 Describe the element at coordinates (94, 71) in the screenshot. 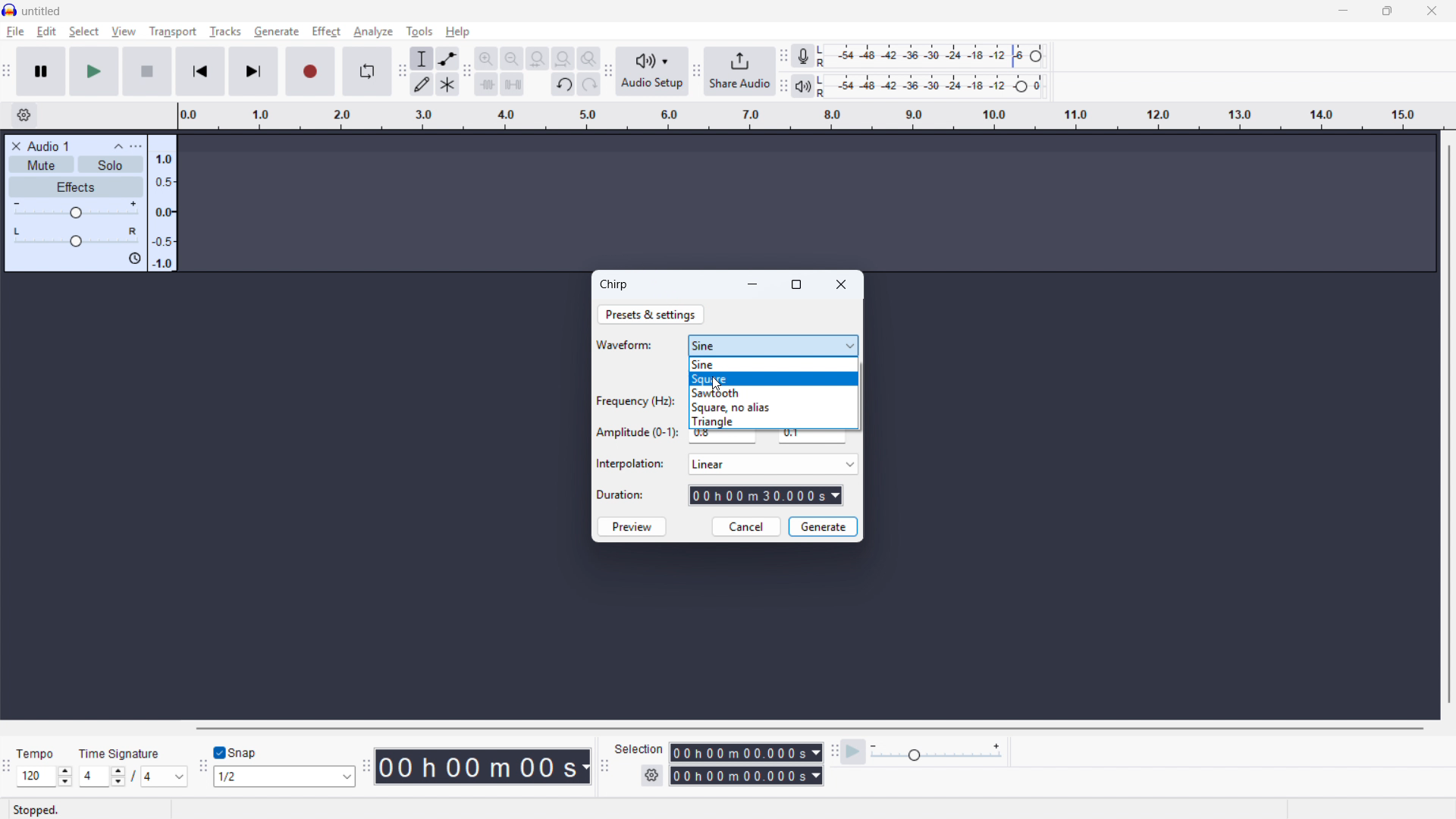

I see `play ` at that location.